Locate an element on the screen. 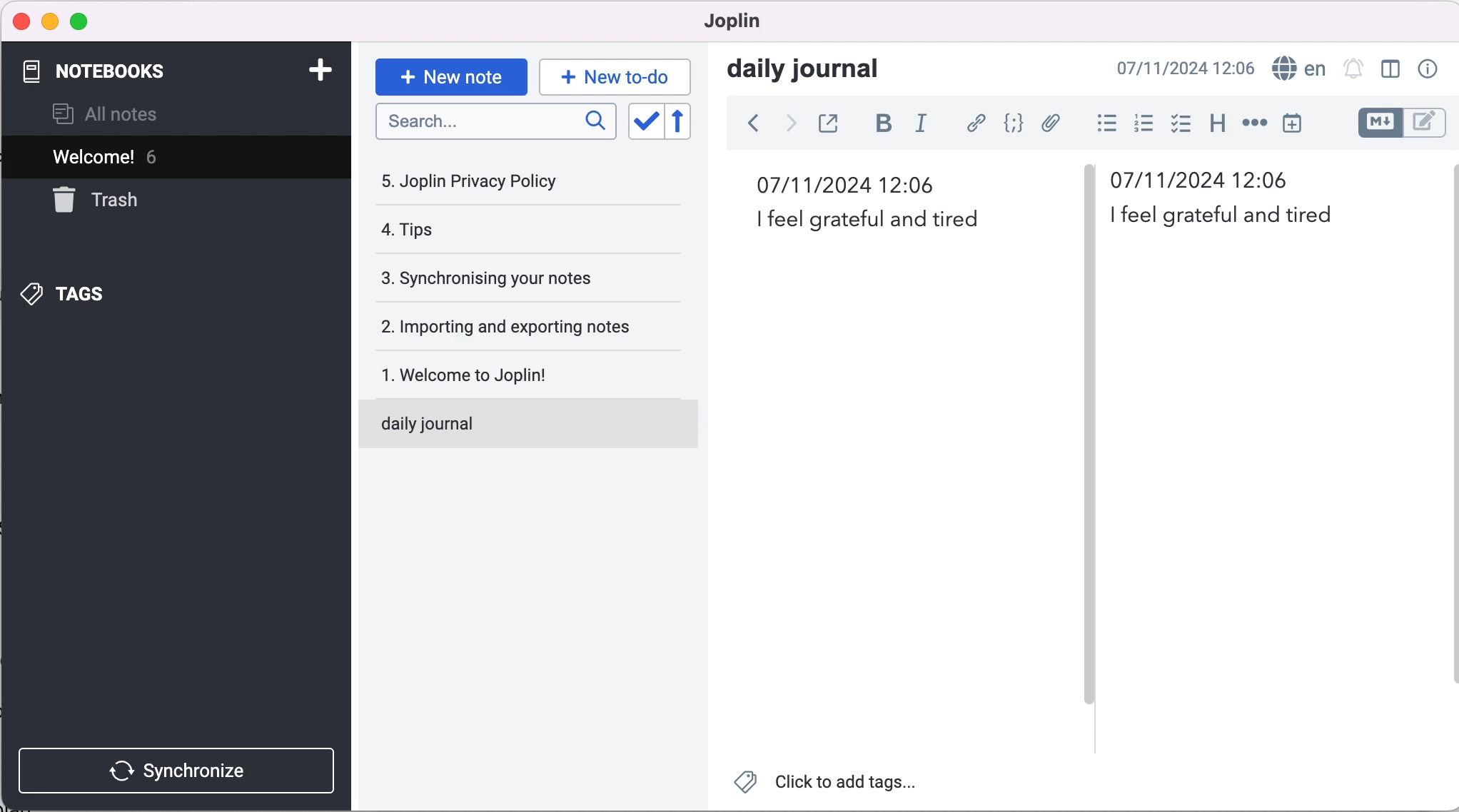  notebooks is located at coordinates (106, 72).